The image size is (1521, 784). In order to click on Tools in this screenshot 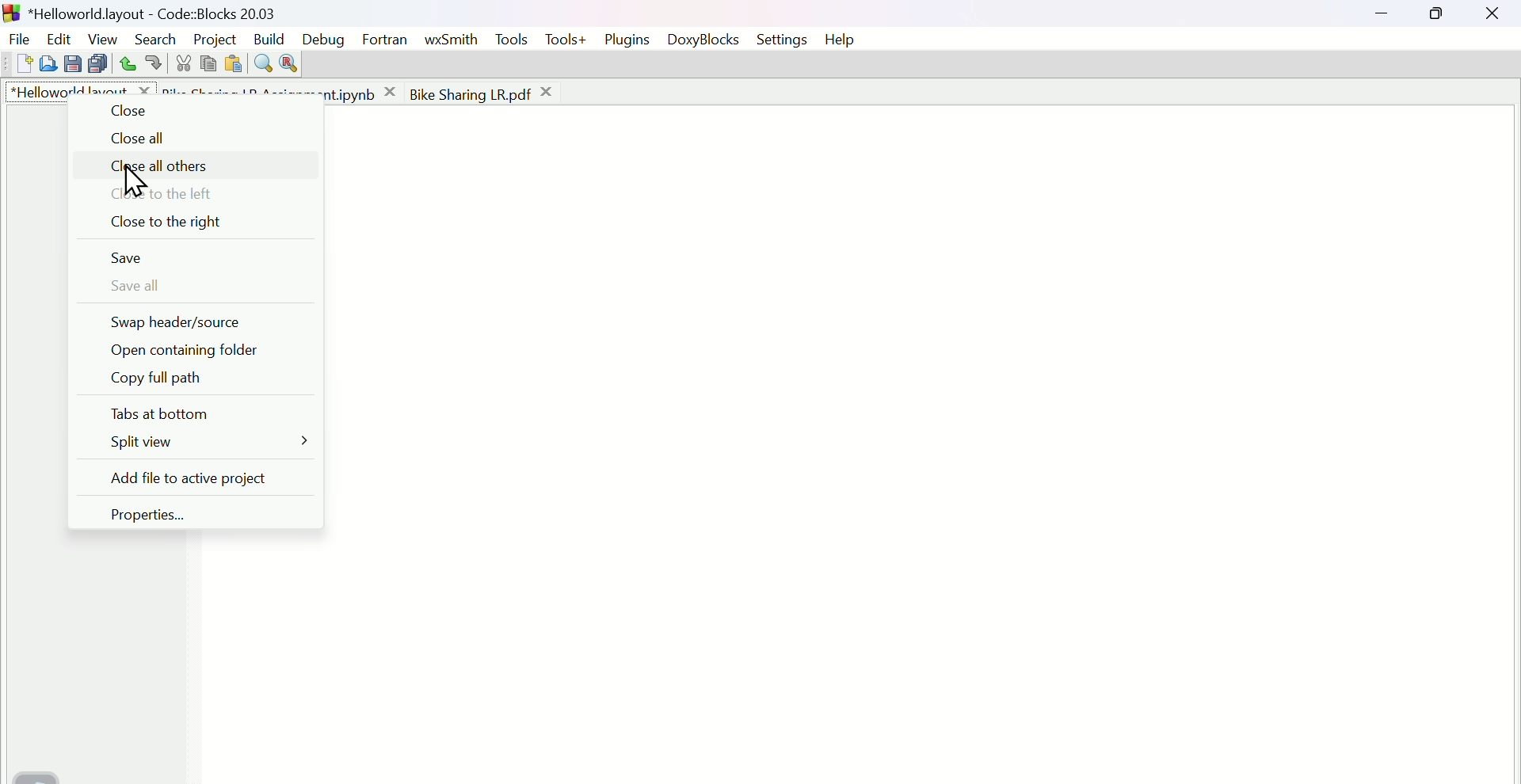, I will do `click(512, 40)`.